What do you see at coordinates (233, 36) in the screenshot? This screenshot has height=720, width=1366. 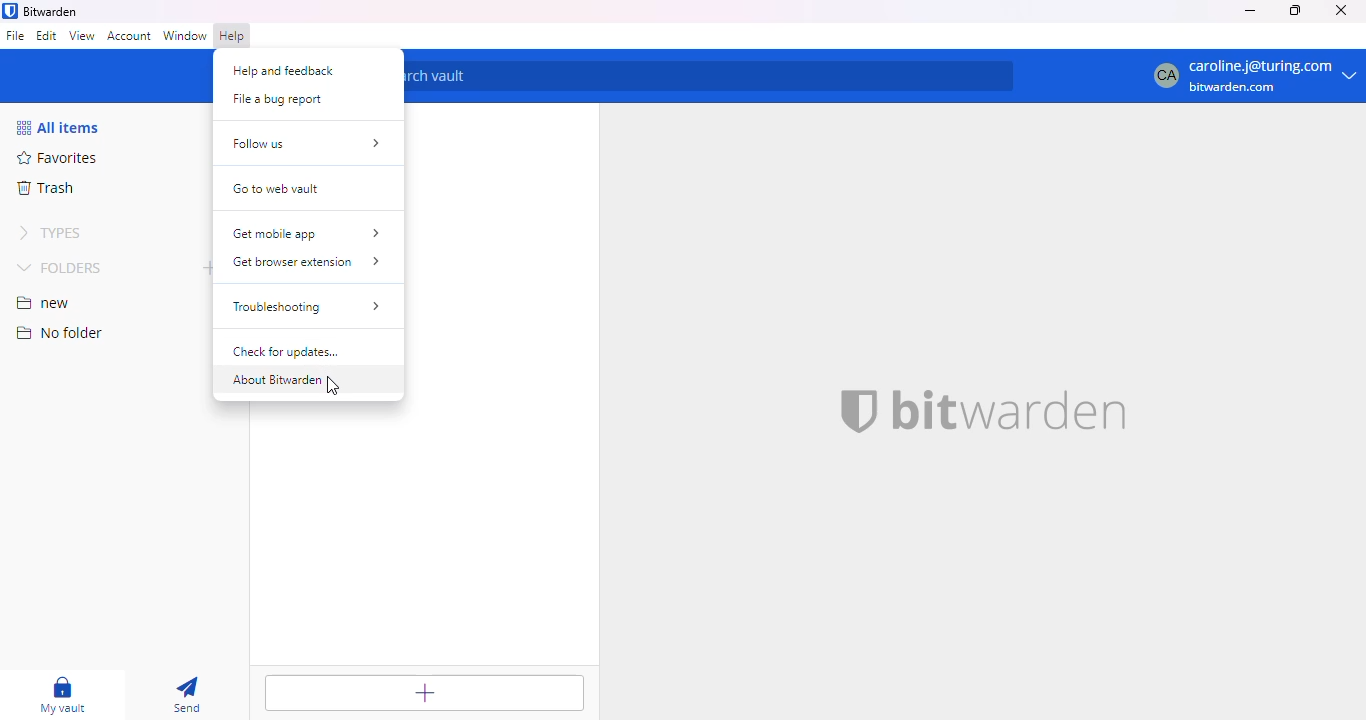 I see `help` at bounding box center [233, 36].